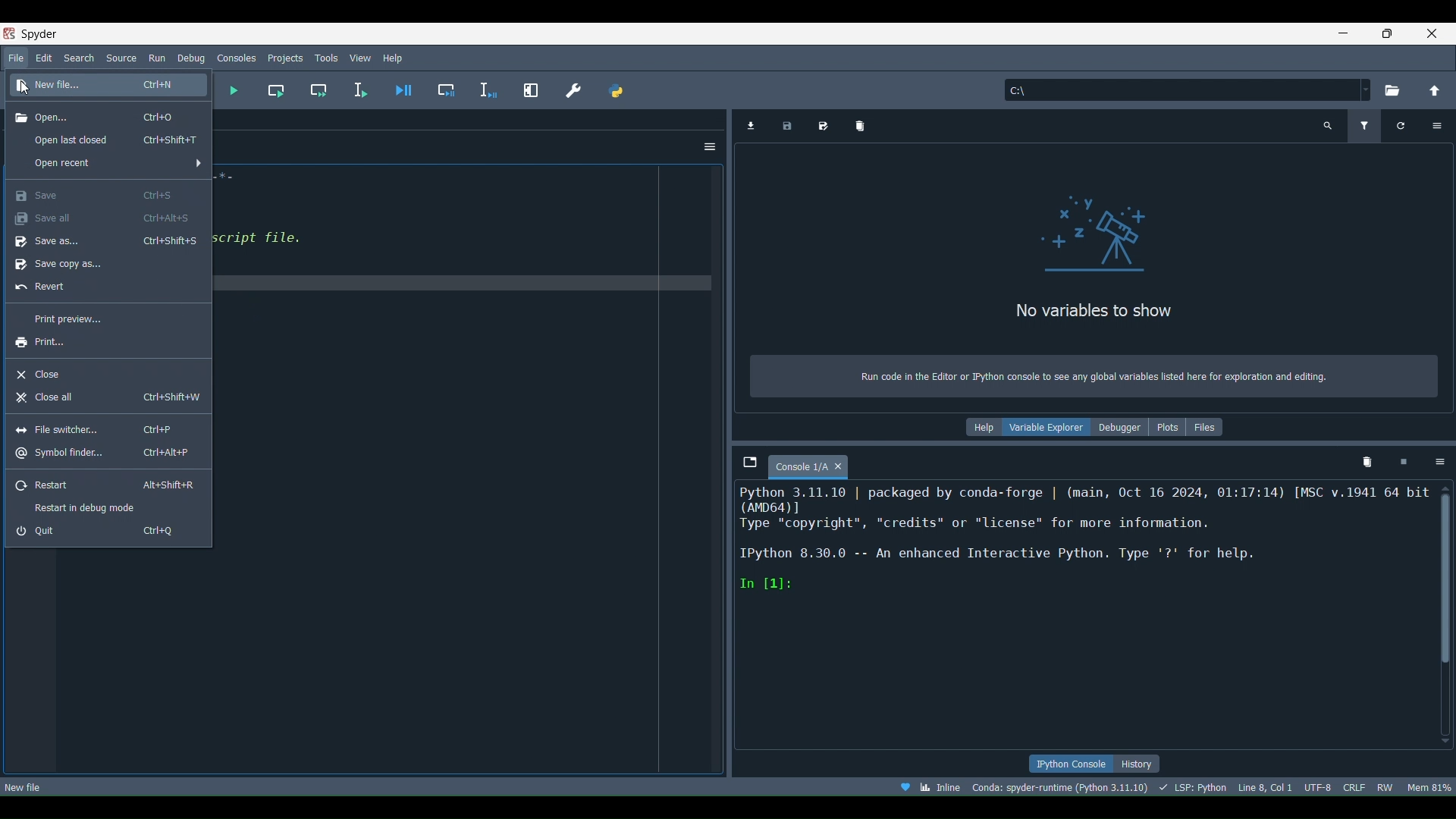 This screenshot has height=819, width=1456. Describe the element at coordinates (102, 218) in the screenshot. I see `Save all` at that location.